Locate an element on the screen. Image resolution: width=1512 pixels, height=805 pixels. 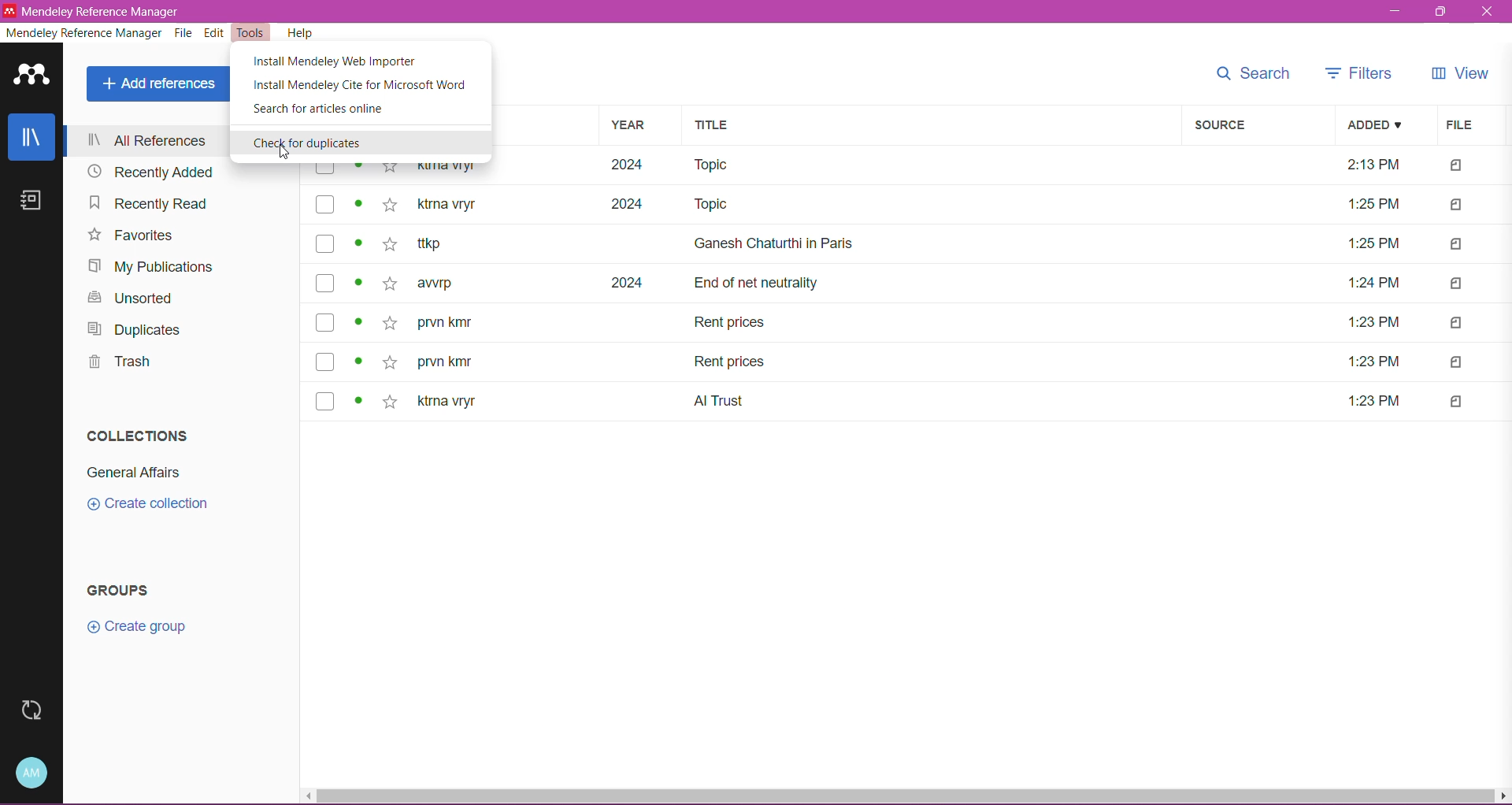
cursor is located at coordinates (283, 150).